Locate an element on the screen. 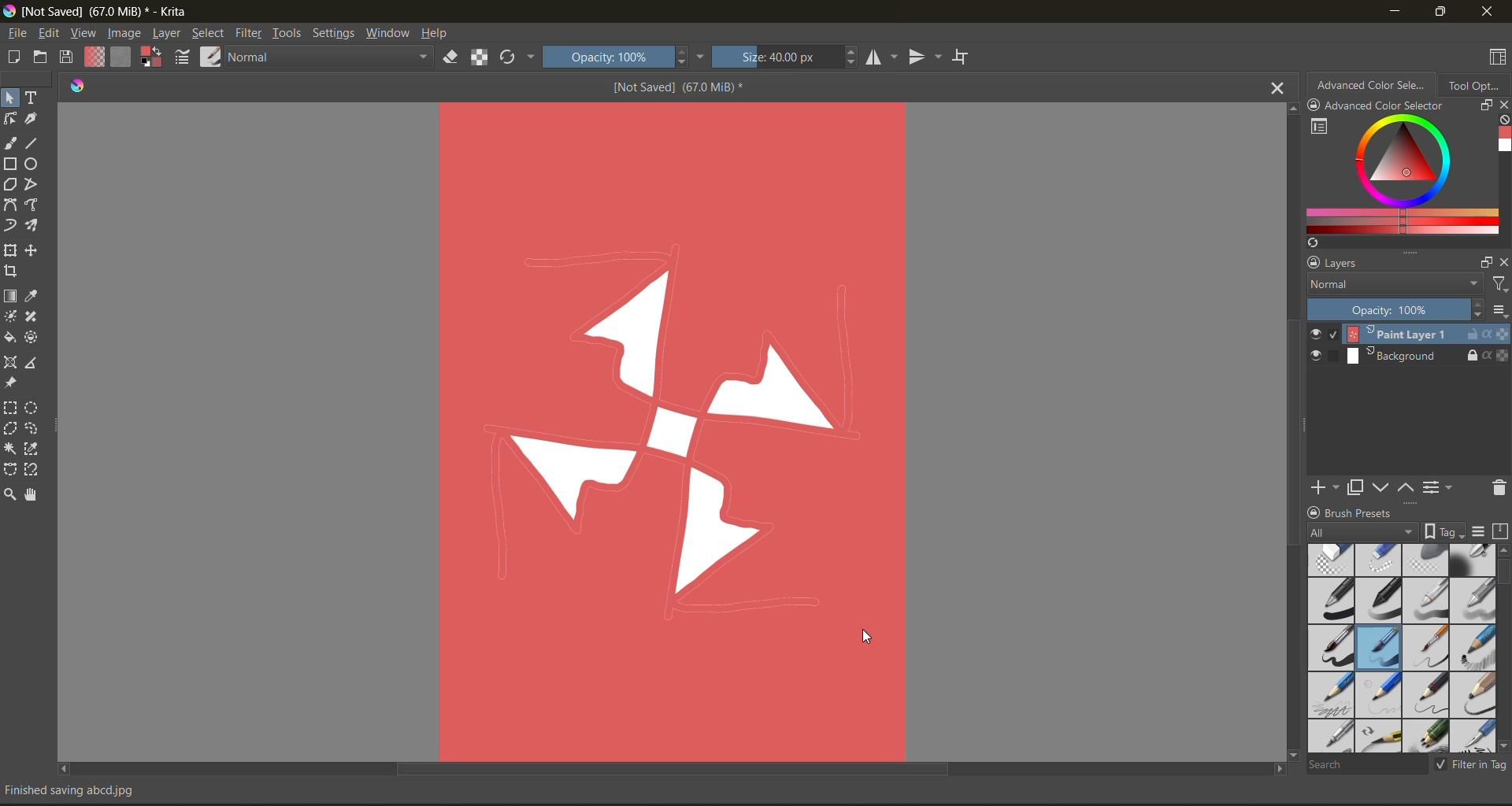  preserve alpha is located at coordinates (480, 57).